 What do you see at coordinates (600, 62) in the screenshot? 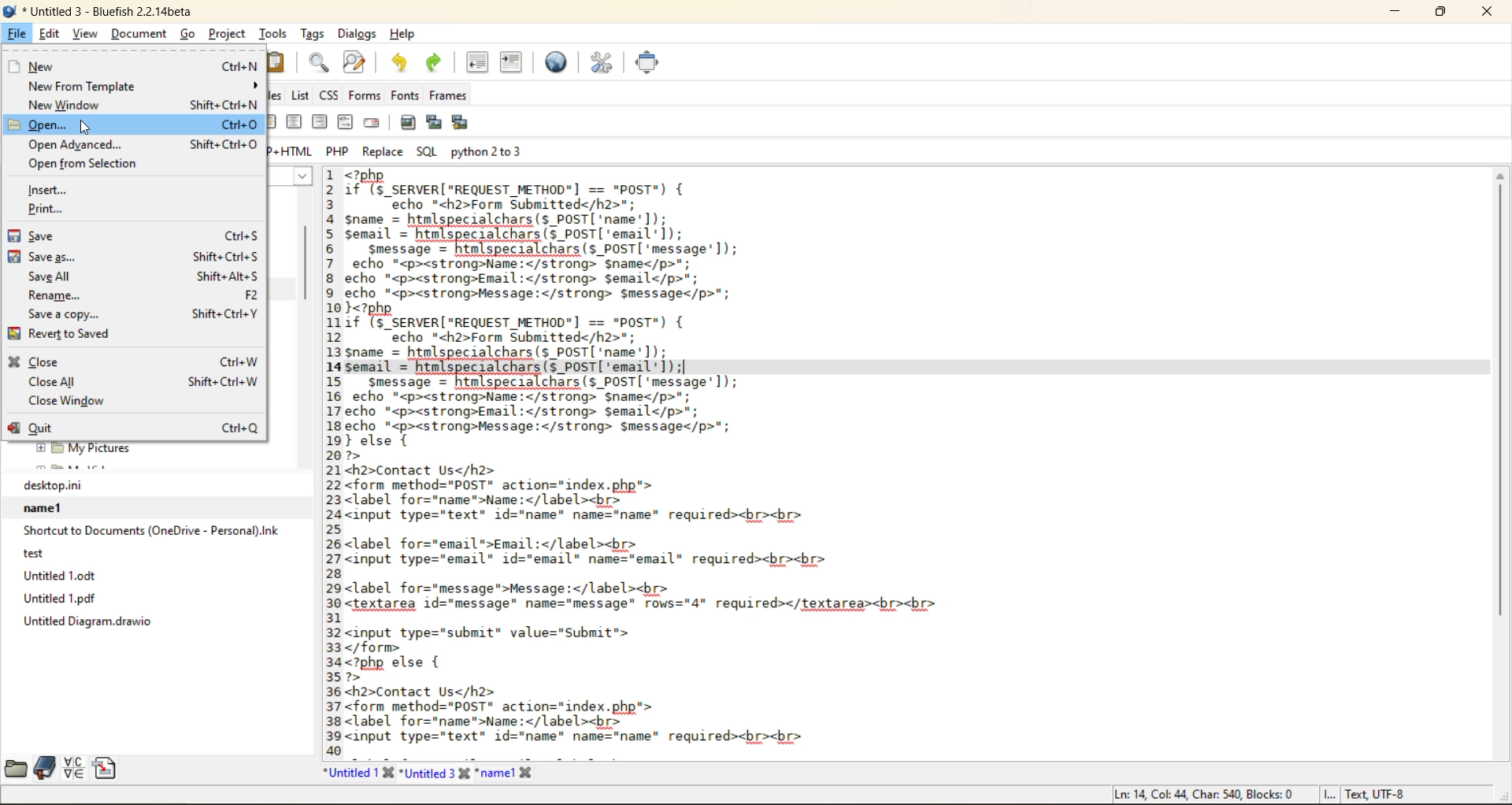
I see `edit preferences` at bounding box center [600, 62].